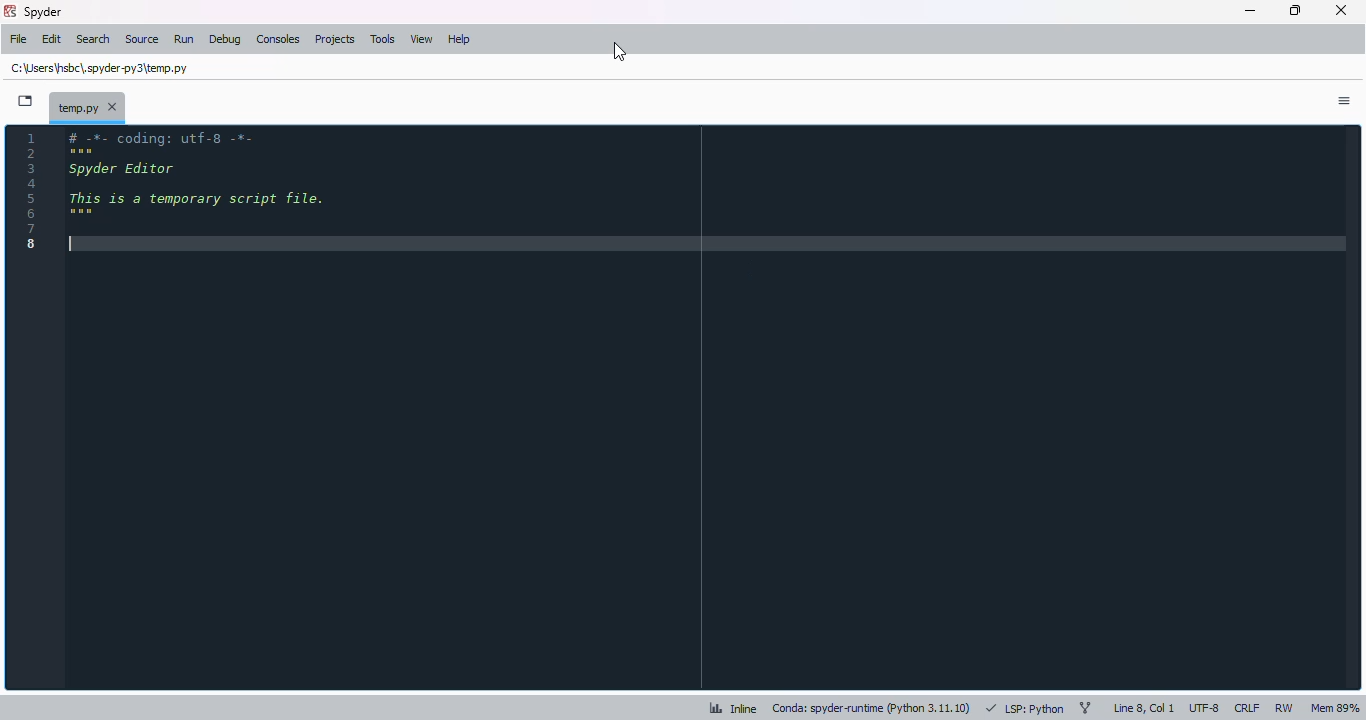 This screenshot has height=720, width=1366. What do you see at coordinates (704, 408) in the screenshot?
I see `editor` at bounding box center [704, 408].